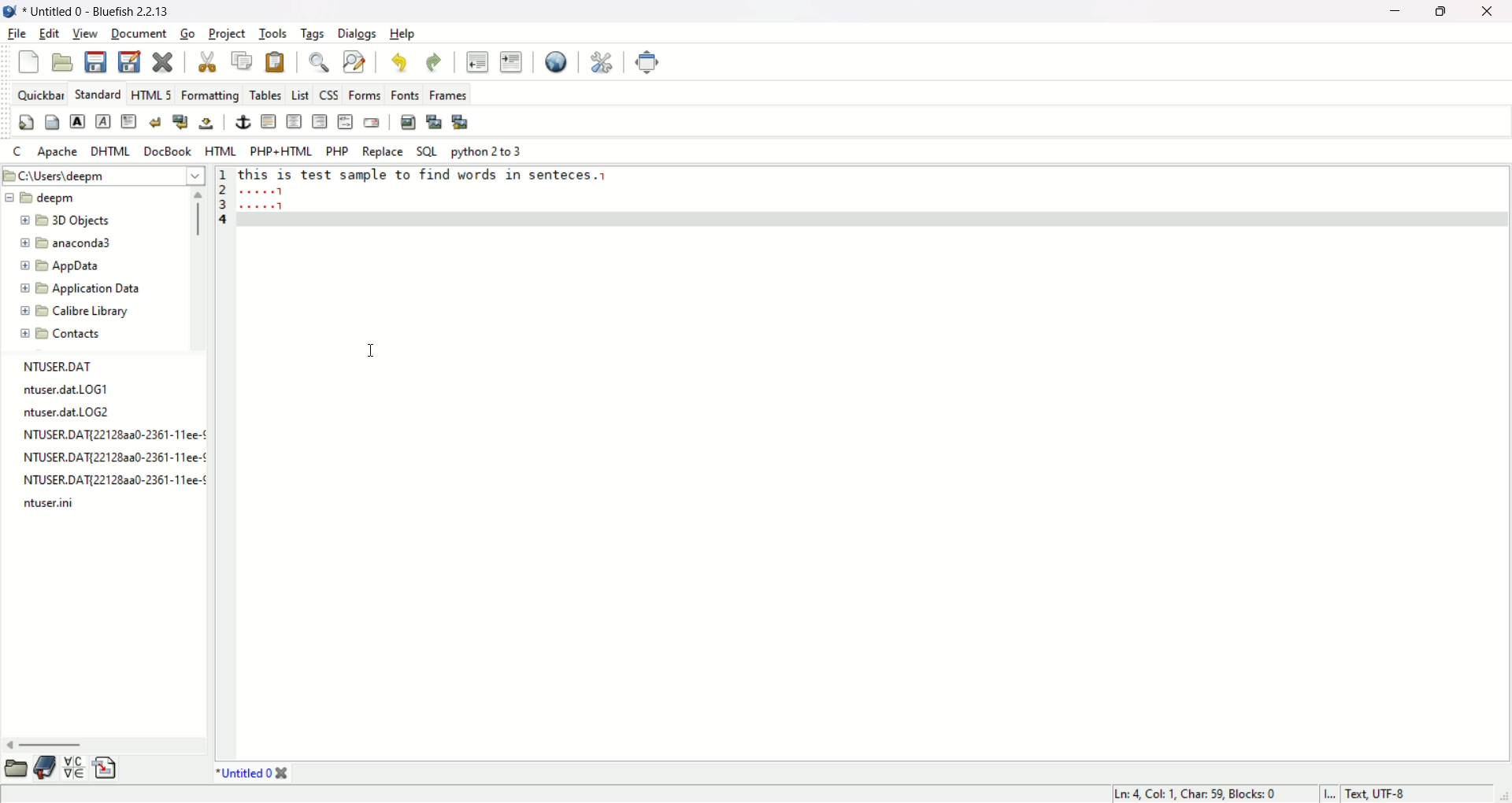 Image resolution: width=1512 pixels, height=803 pixels. I want to click on * Untitled 0 - Bluefish 2. 2. 13 , so click(102, 9).